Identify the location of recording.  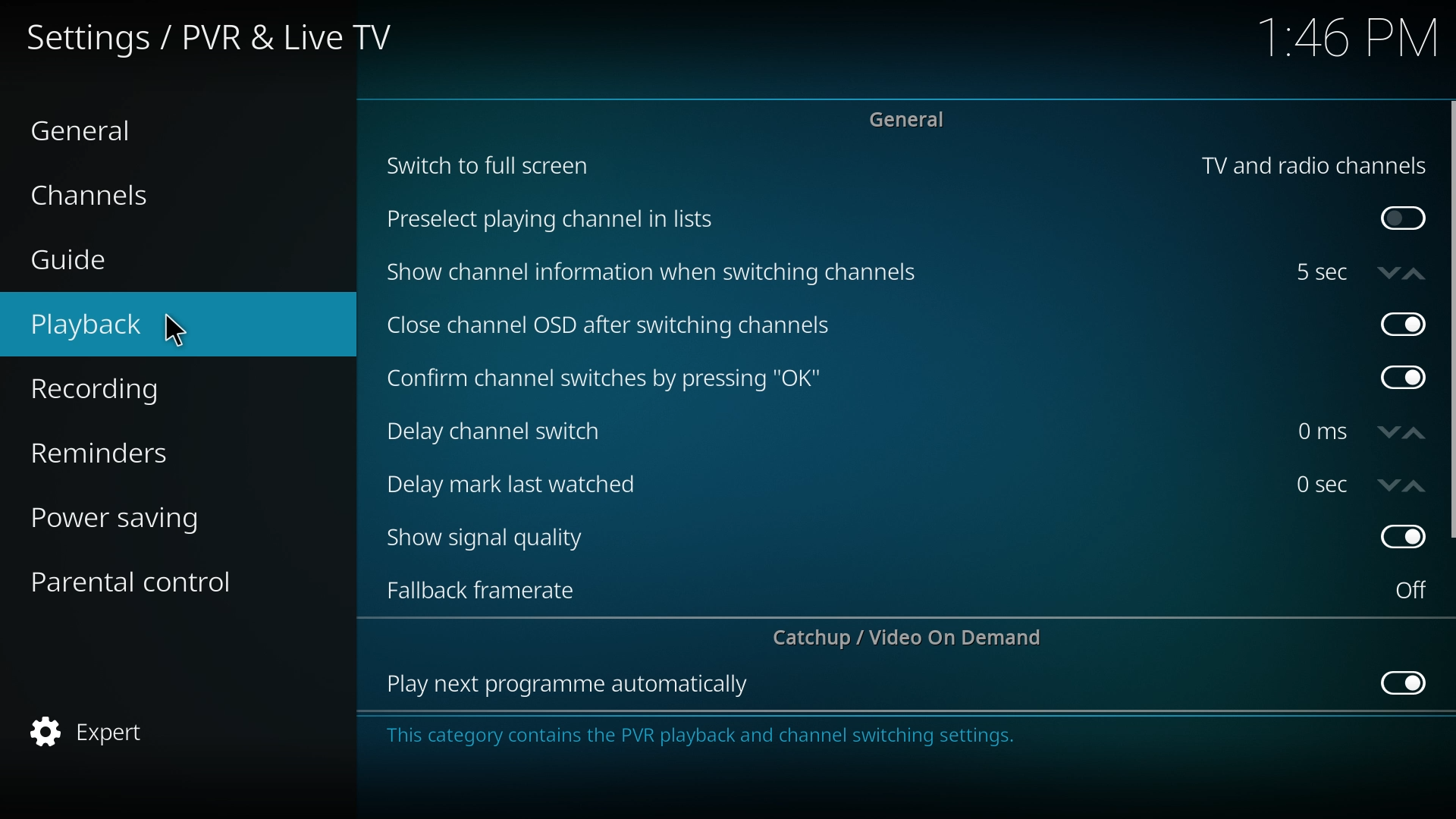
(137, 390).